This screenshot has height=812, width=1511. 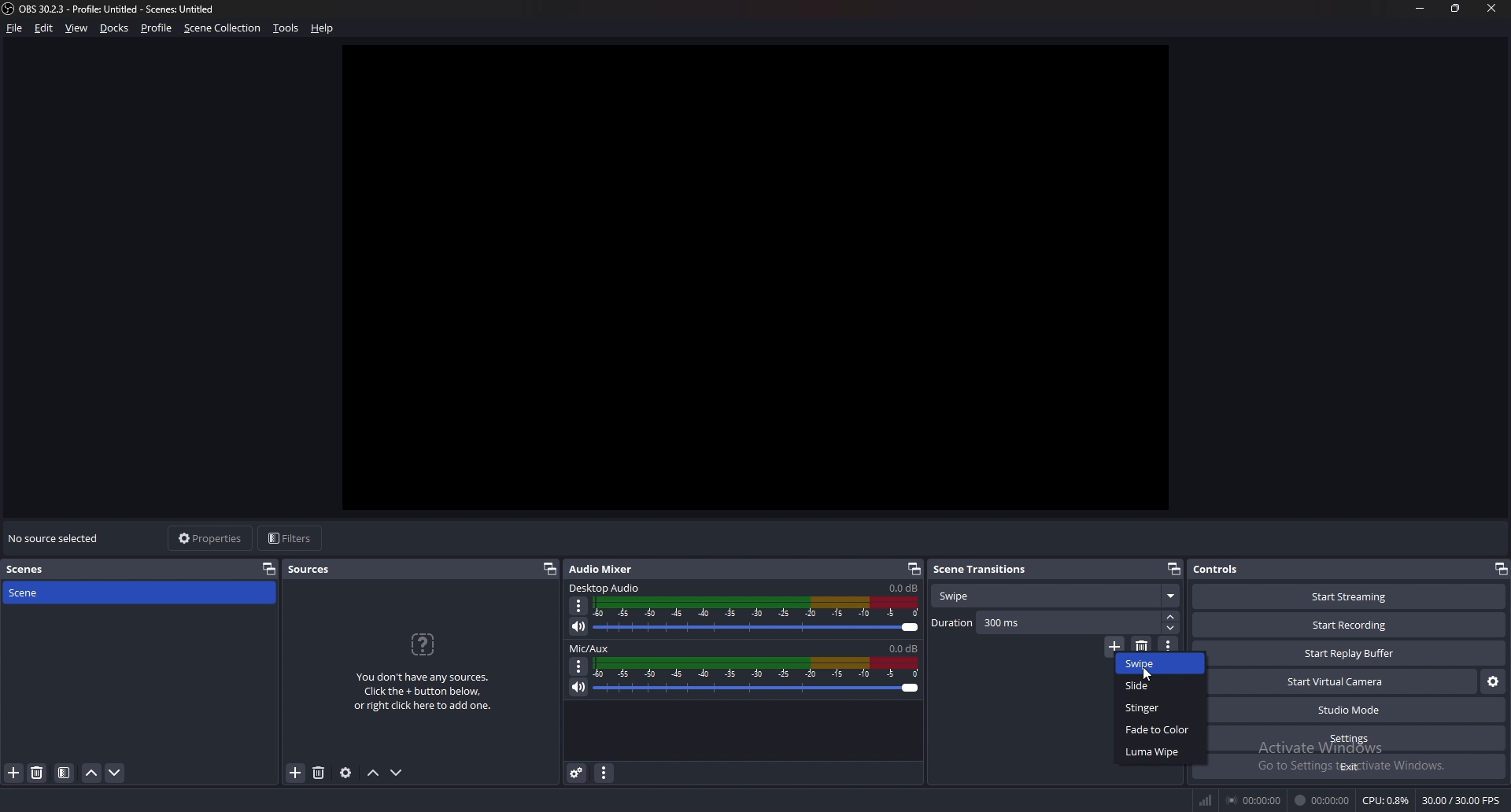 What do you see at coordinates (605, 570) in the screenshot?
I see `audio mixer` at bounding box center [605, 570].